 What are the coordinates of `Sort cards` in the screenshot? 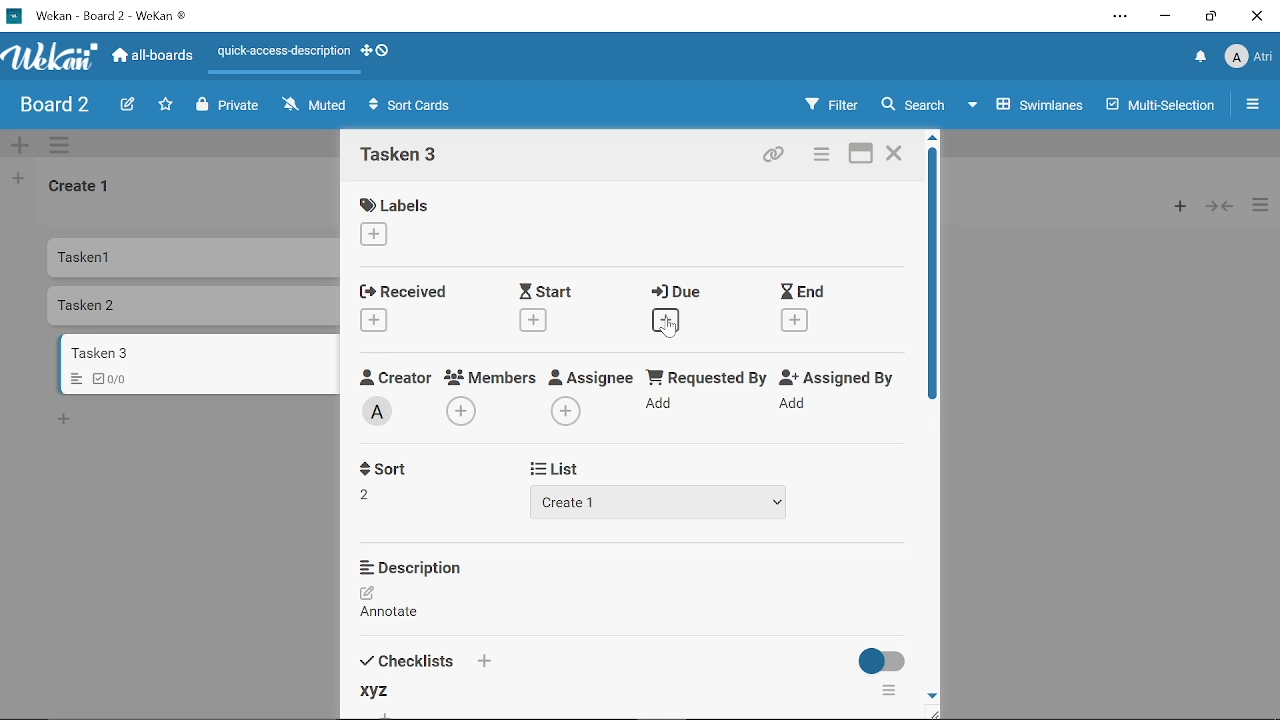 It's located at (415, 107).